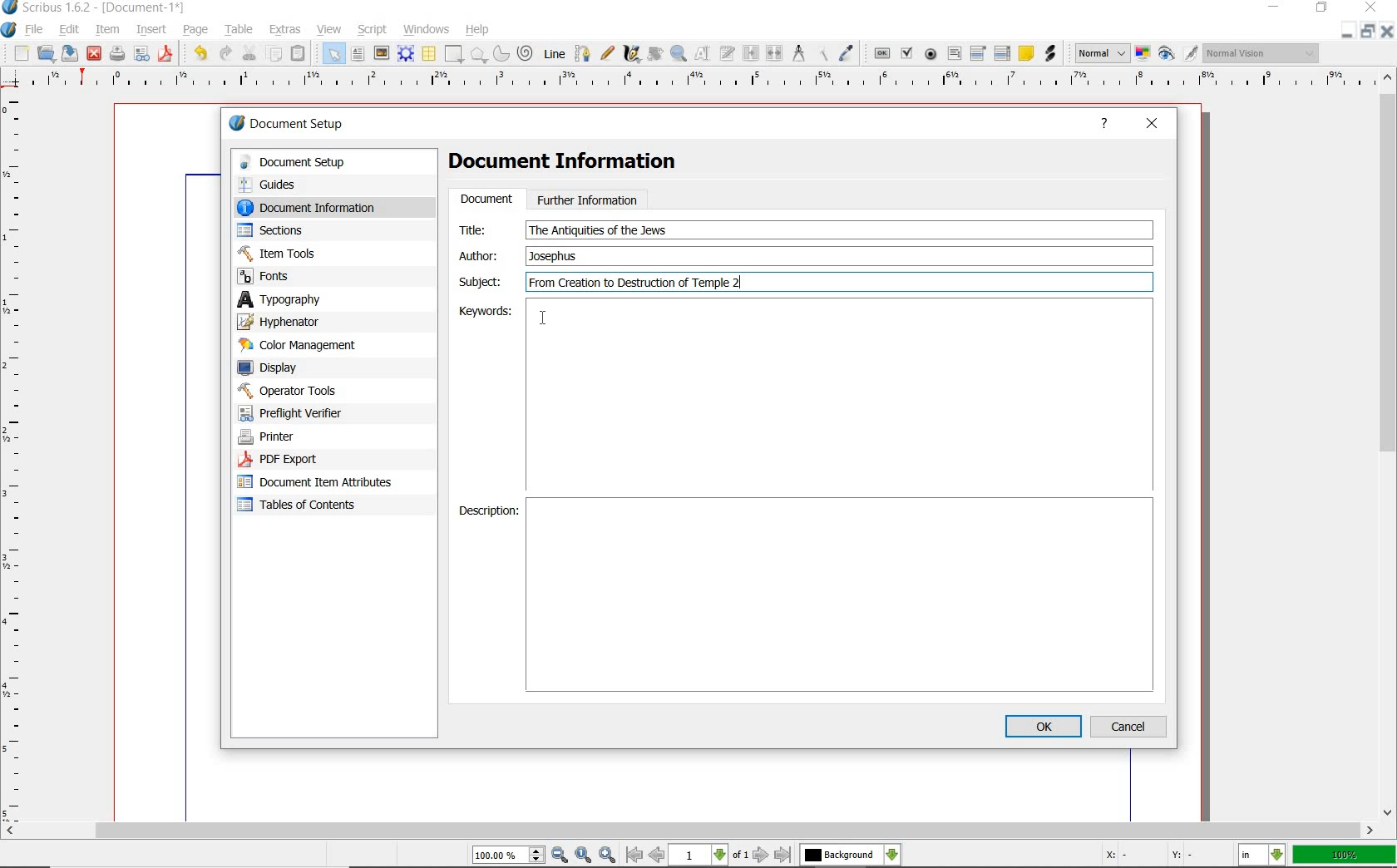 This screenshot has height=868, width=1397. I want to click on subject, so click(479, 281).